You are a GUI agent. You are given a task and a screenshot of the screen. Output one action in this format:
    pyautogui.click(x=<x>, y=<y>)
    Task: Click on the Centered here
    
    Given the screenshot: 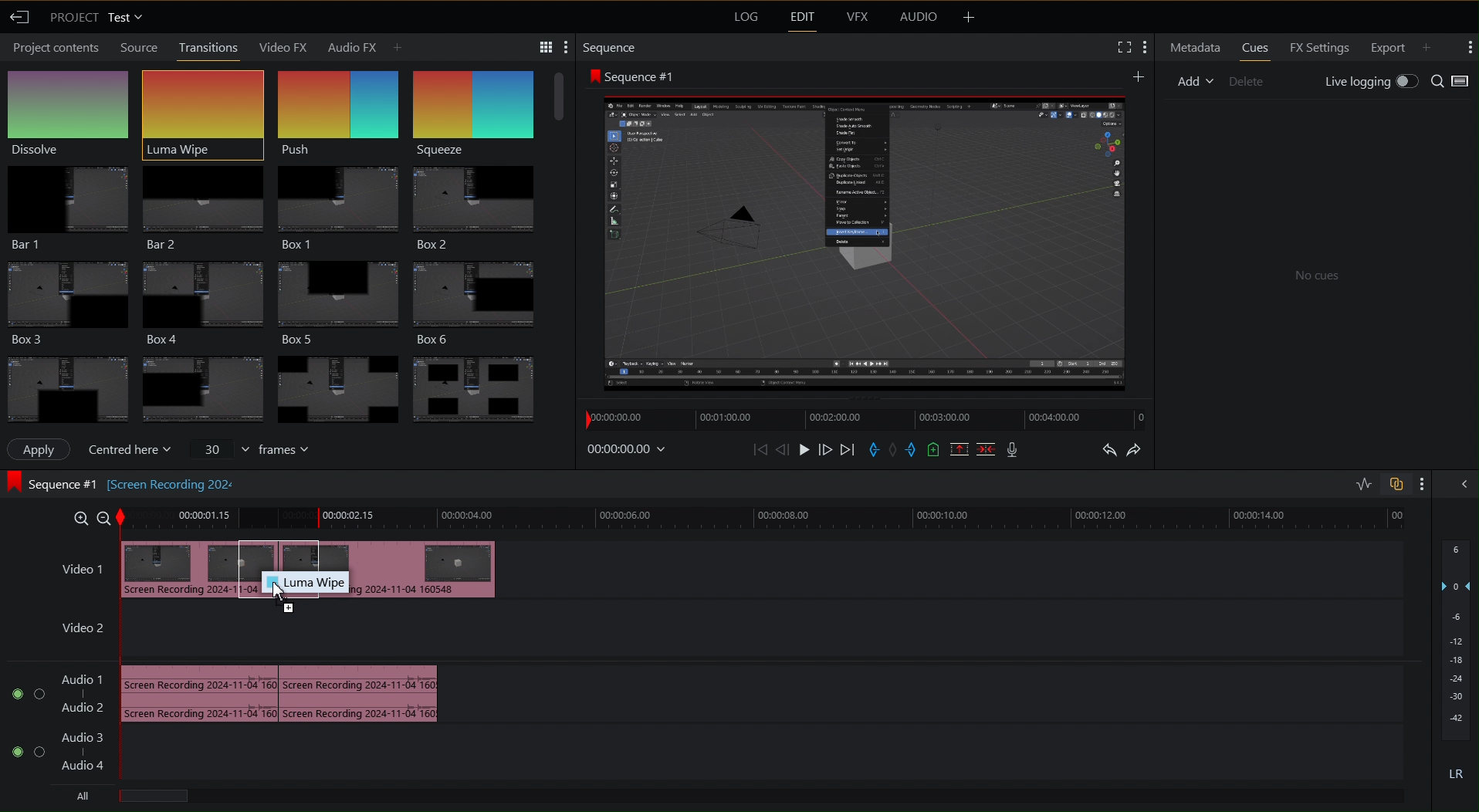 What is the action you would take?
    pyautogui.click(x=130, y=449)
    